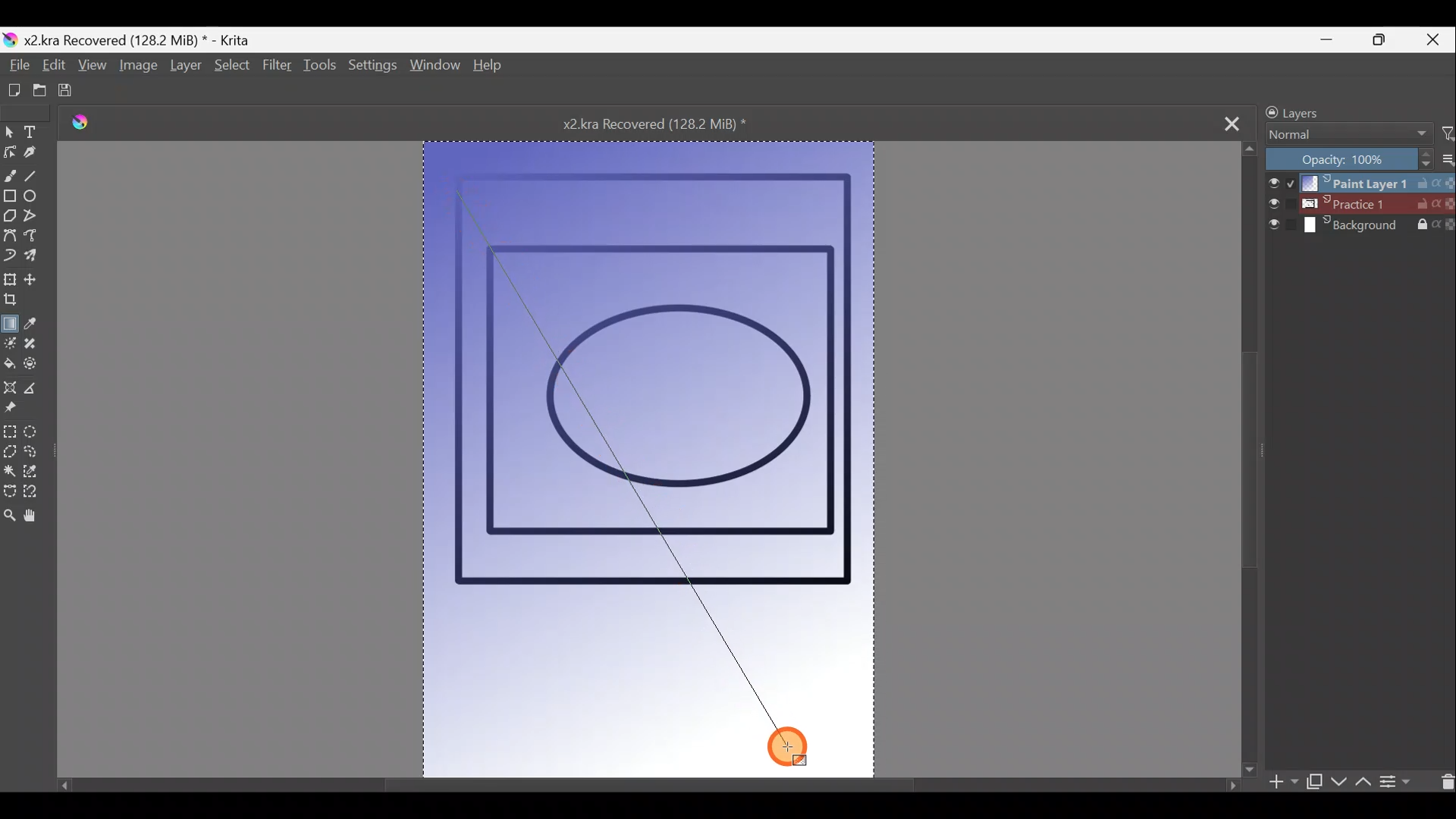 The height and width of the screenshot is (819, 1456). I want to click on Transform a layer/selection, so click(11, 281).